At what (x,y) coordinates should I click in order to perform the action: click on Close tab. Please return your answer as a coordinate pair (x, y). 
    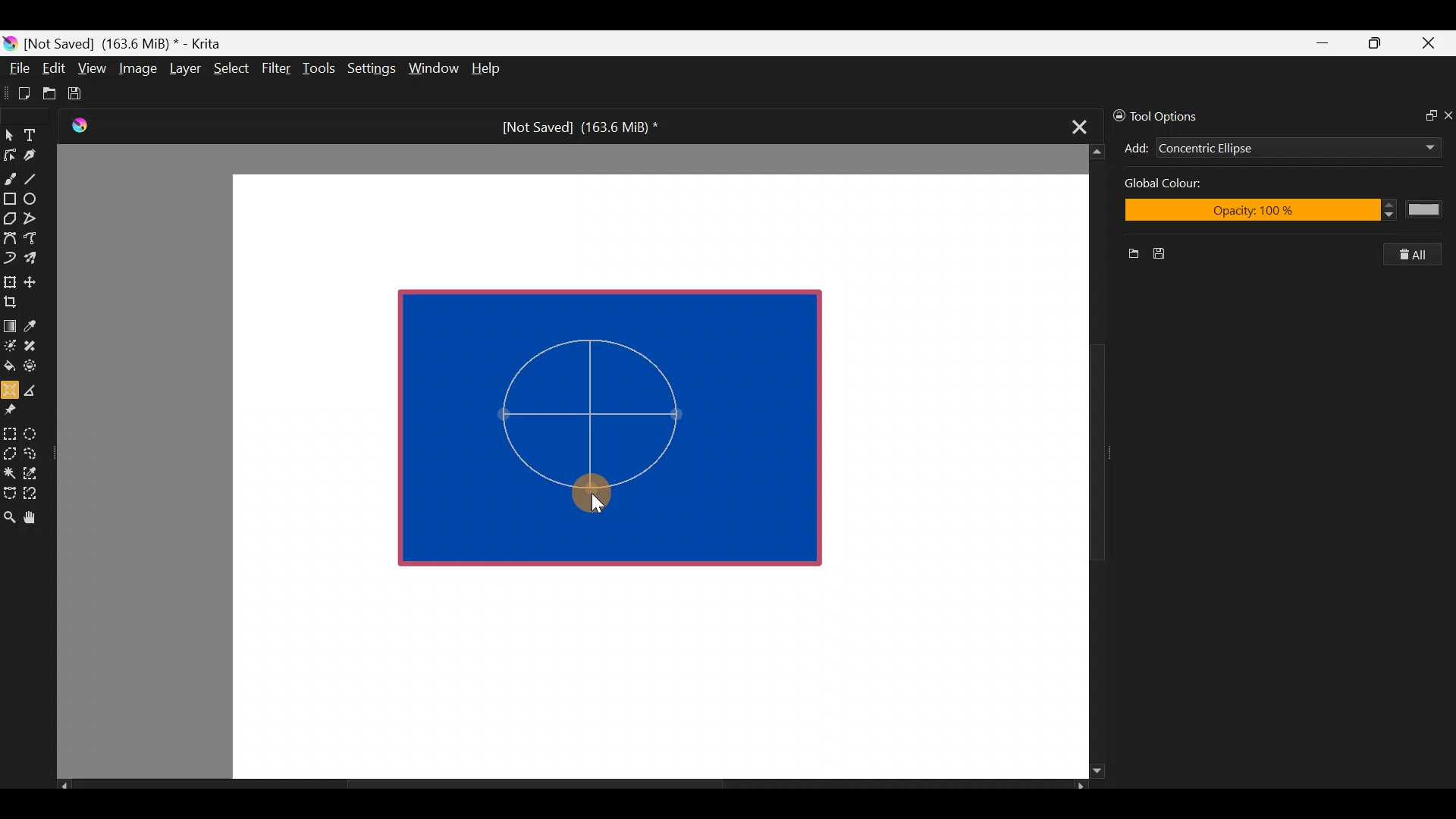
    Looking at the image, I should click on (1075, 124).